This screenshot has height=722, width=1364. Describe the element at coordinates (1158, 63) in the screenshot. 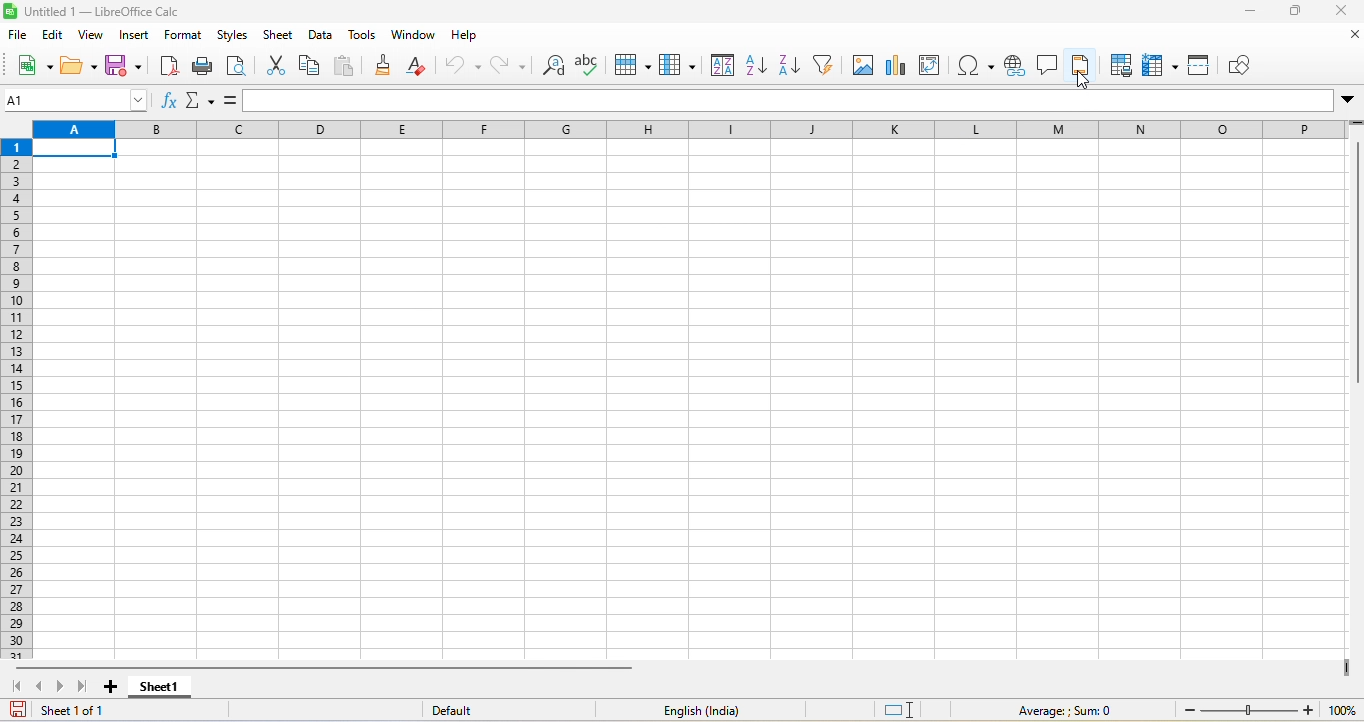

I see `freeze row and column` at that location.